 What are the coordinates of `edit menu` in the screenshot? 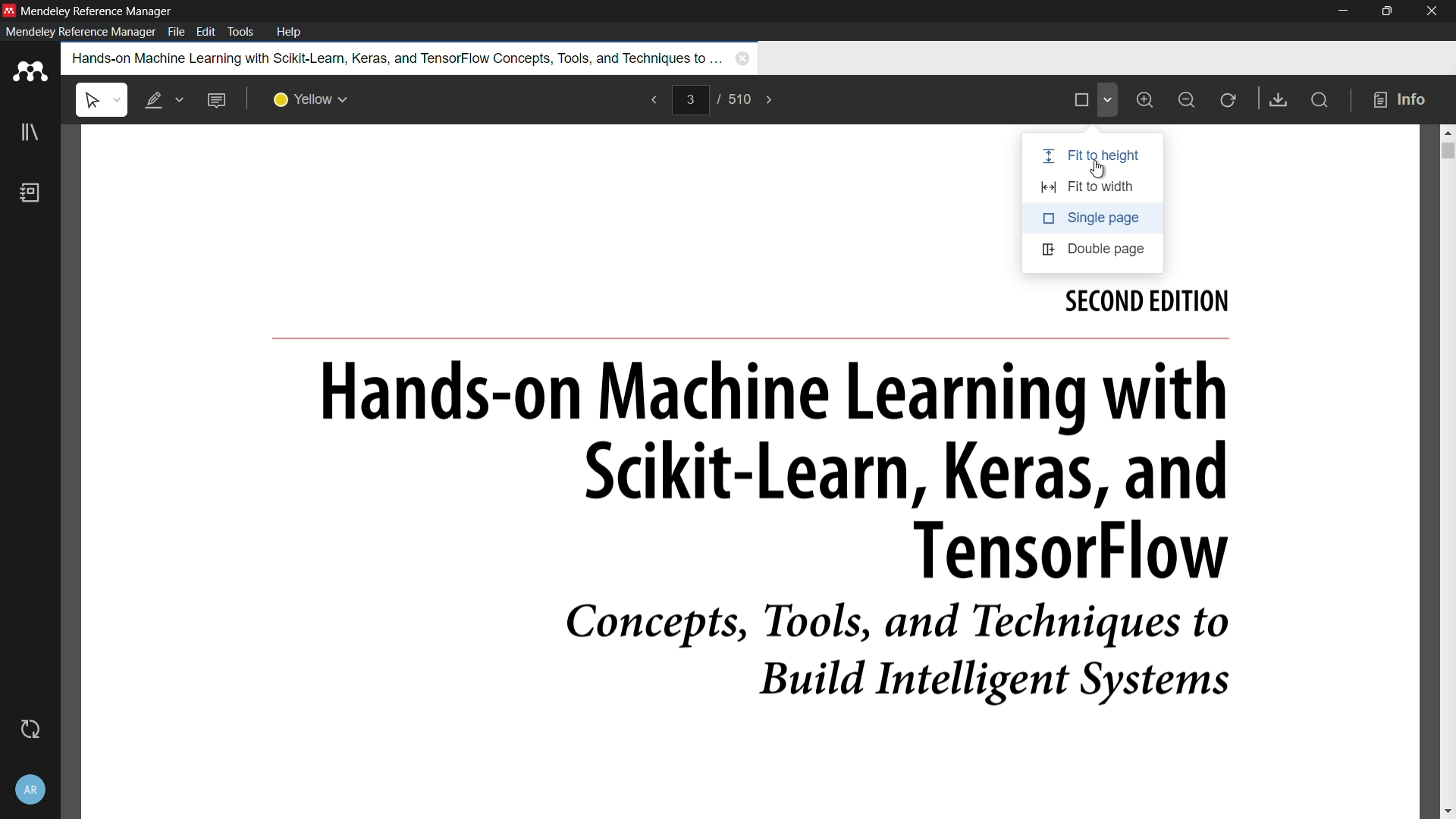 It's located at (206, 32).